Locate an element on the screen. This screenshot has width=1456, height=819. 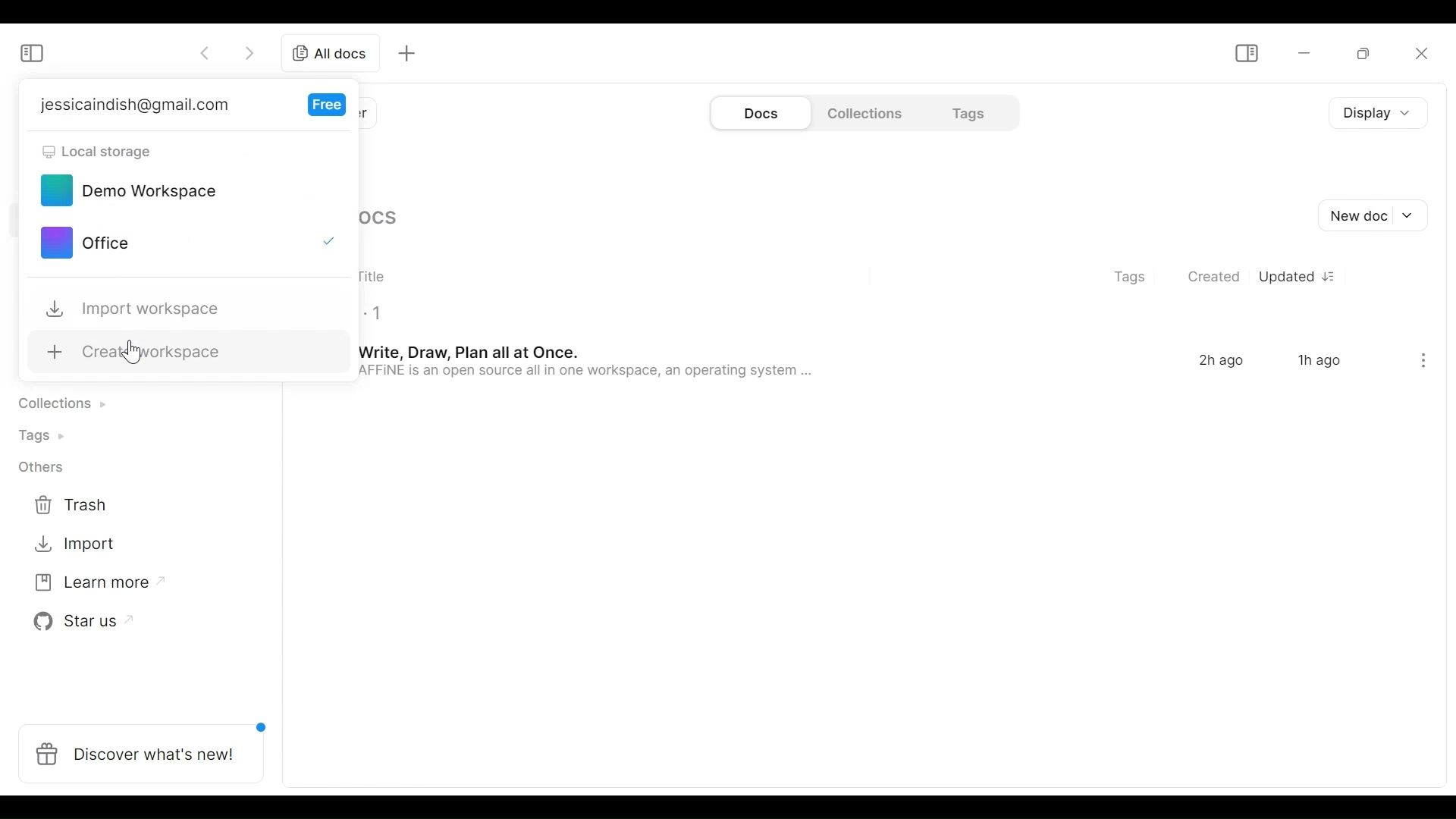
Updated is located at coordinates (1301, 278).